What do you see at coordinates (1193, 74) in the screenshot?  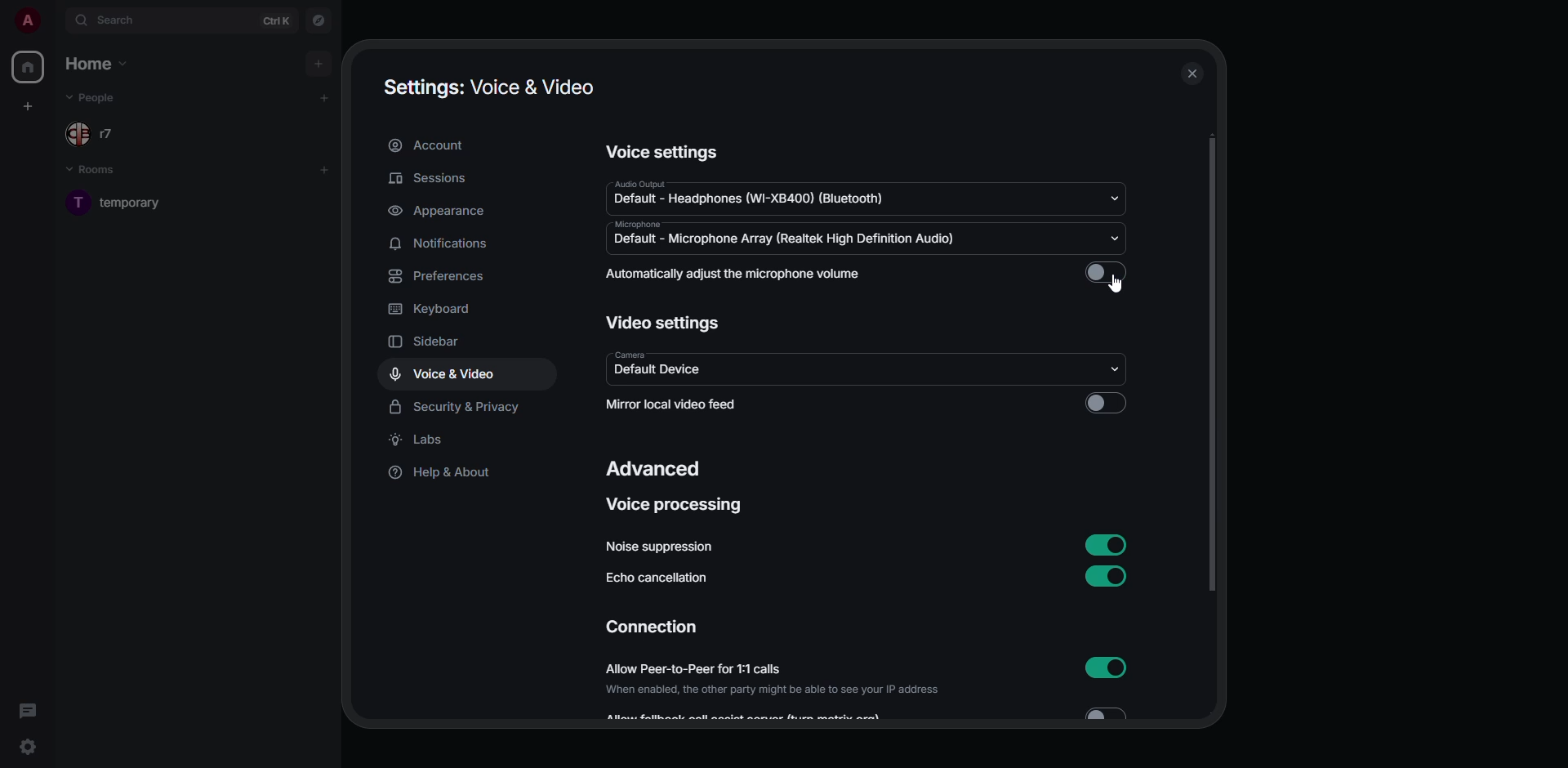 I see `close` at bounding box center [1193, 74].